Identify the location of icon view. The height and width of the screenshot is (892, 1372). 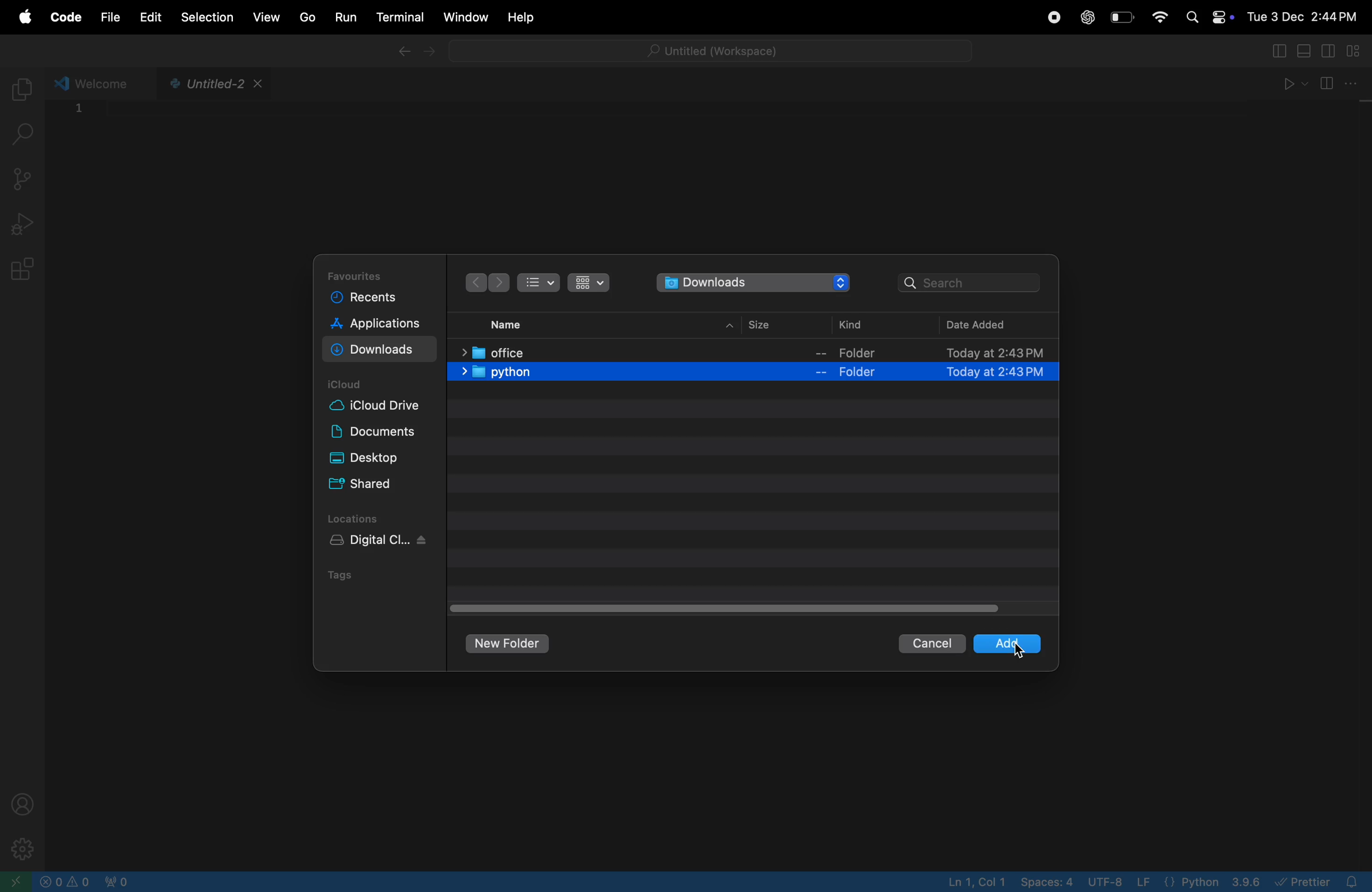
(589, 284).